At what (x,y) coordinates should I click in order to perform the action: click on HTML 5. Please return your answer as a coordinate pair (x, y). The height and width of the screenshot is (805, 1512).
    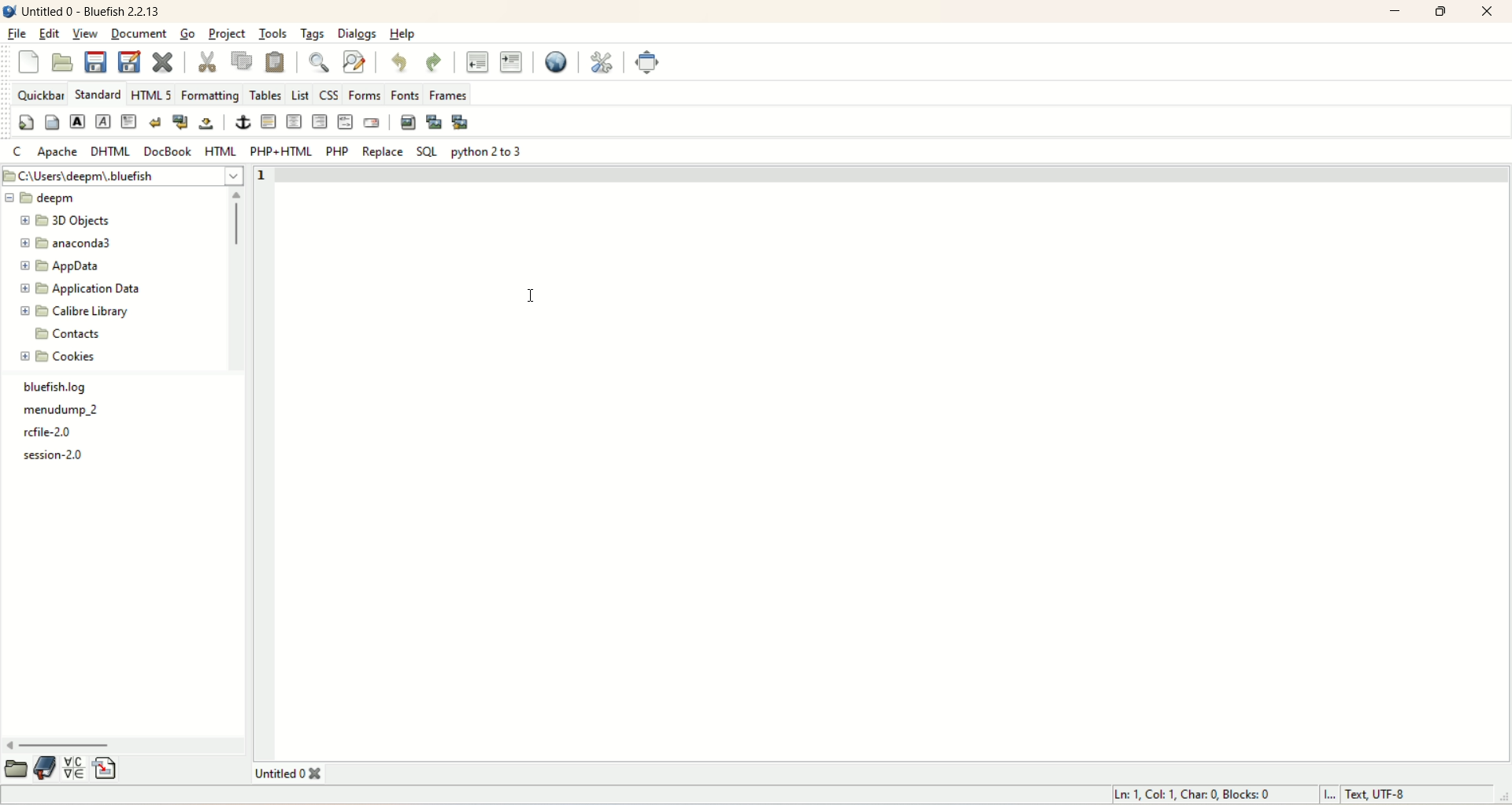
    Looking at the image, I should click on (154, 95).